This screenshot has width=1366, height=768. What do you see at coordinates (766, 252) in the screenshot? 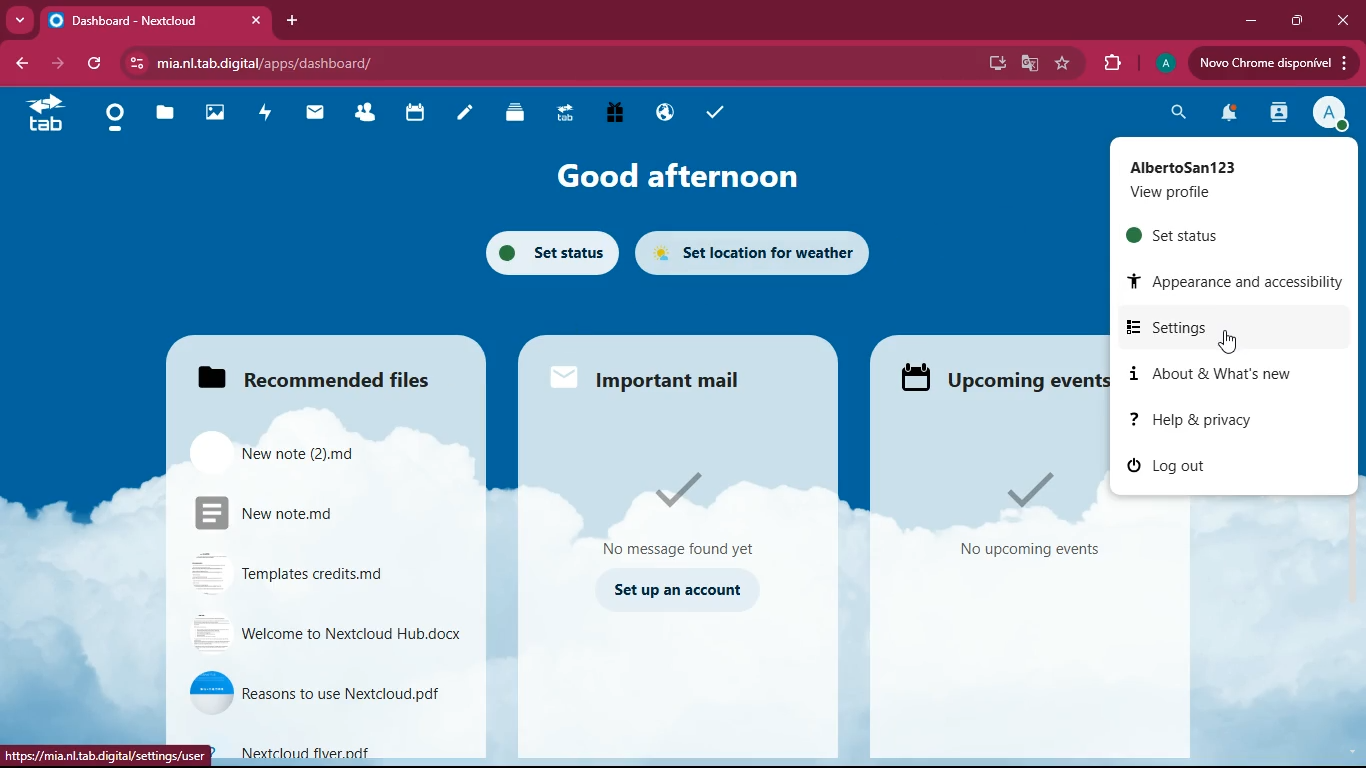
I see `set location` at bounding box center [766, 252].